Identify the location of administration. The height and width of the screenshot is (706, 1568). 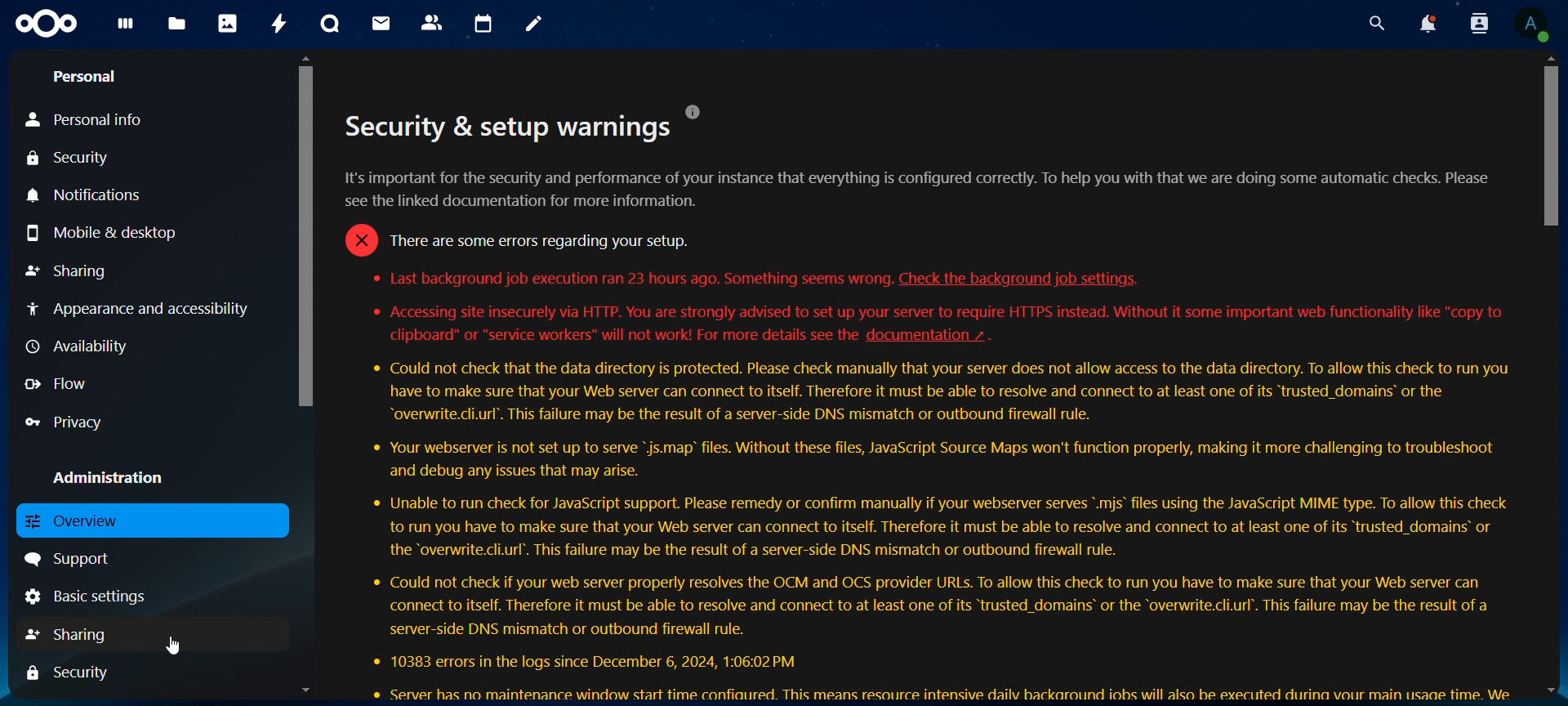
(112, 476).